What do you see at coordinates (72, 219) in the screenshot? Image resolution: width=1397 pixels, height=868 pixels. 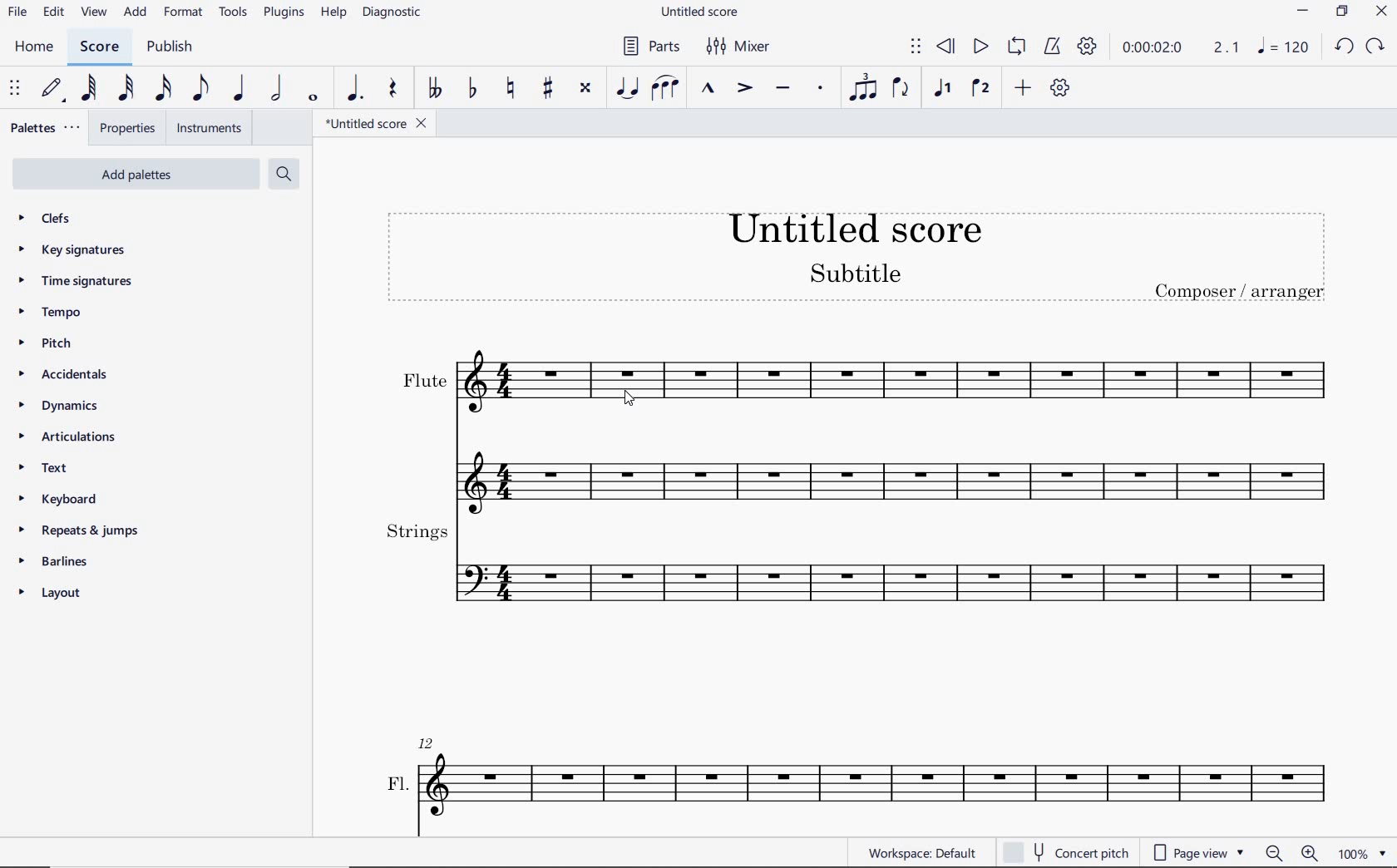 I see `clefs` at bounding box center [72, 219].